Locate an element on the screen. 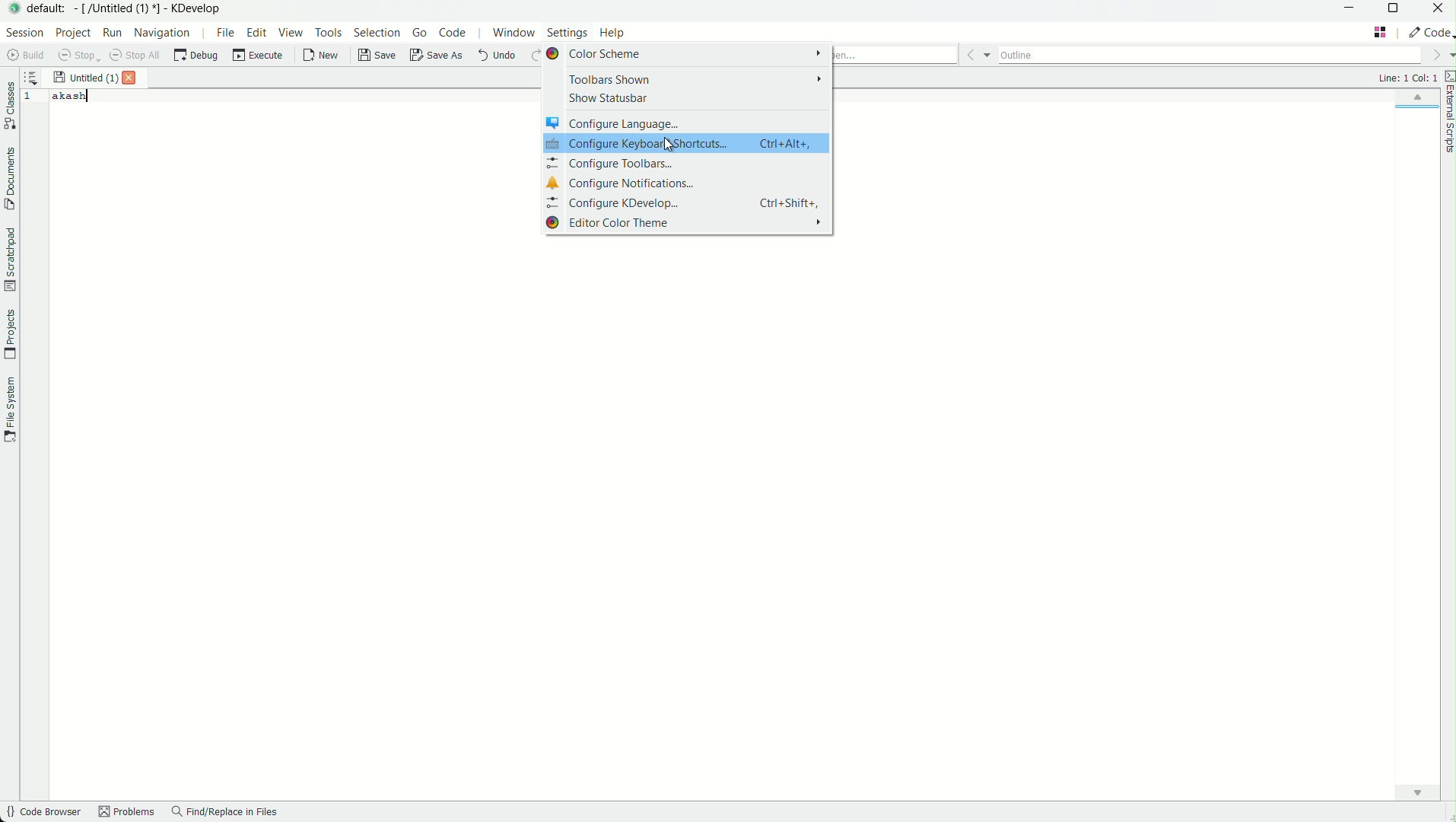 The width and height of the screenshot is (1456, 822). stop is located at coordinates (79, 56).